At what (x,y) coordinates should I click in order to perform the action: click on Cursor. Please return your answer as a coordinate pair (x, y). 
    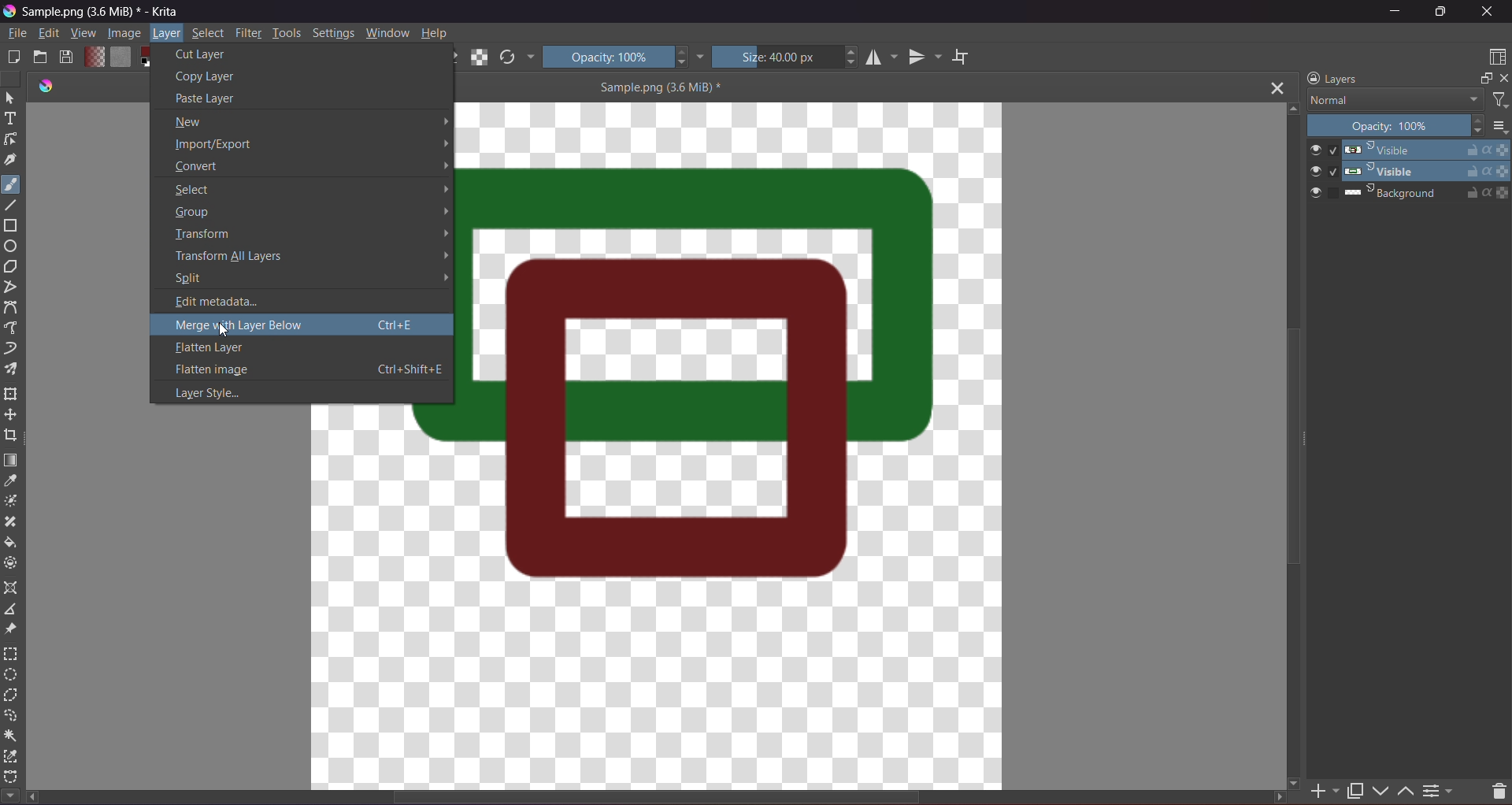
    Looking at the image, I should click on (220, 328).